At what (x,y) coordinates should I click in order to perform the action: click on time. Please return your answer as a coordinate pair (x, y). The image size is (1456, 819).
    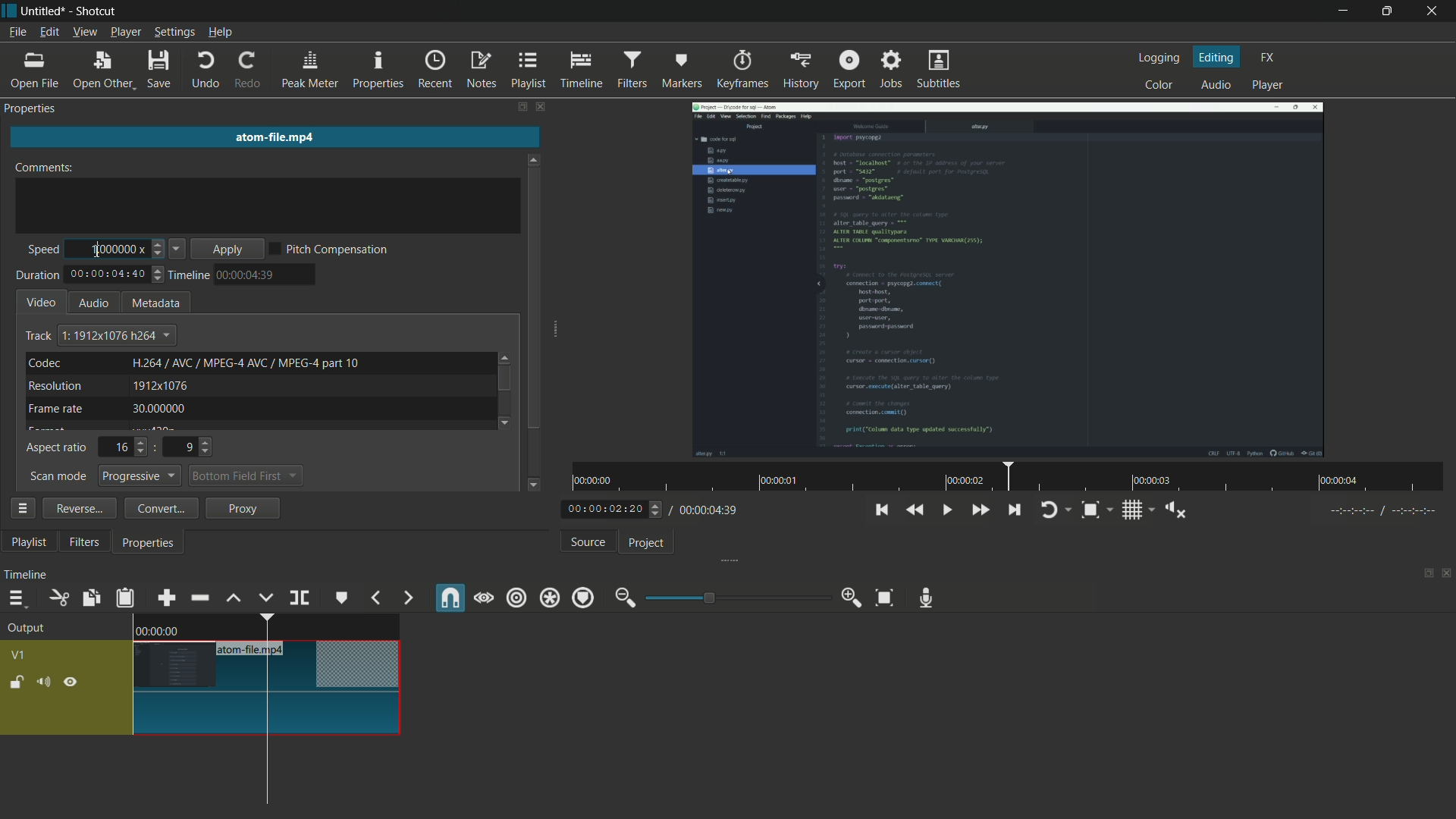
    Looking at the image, I should click on (247, 275).